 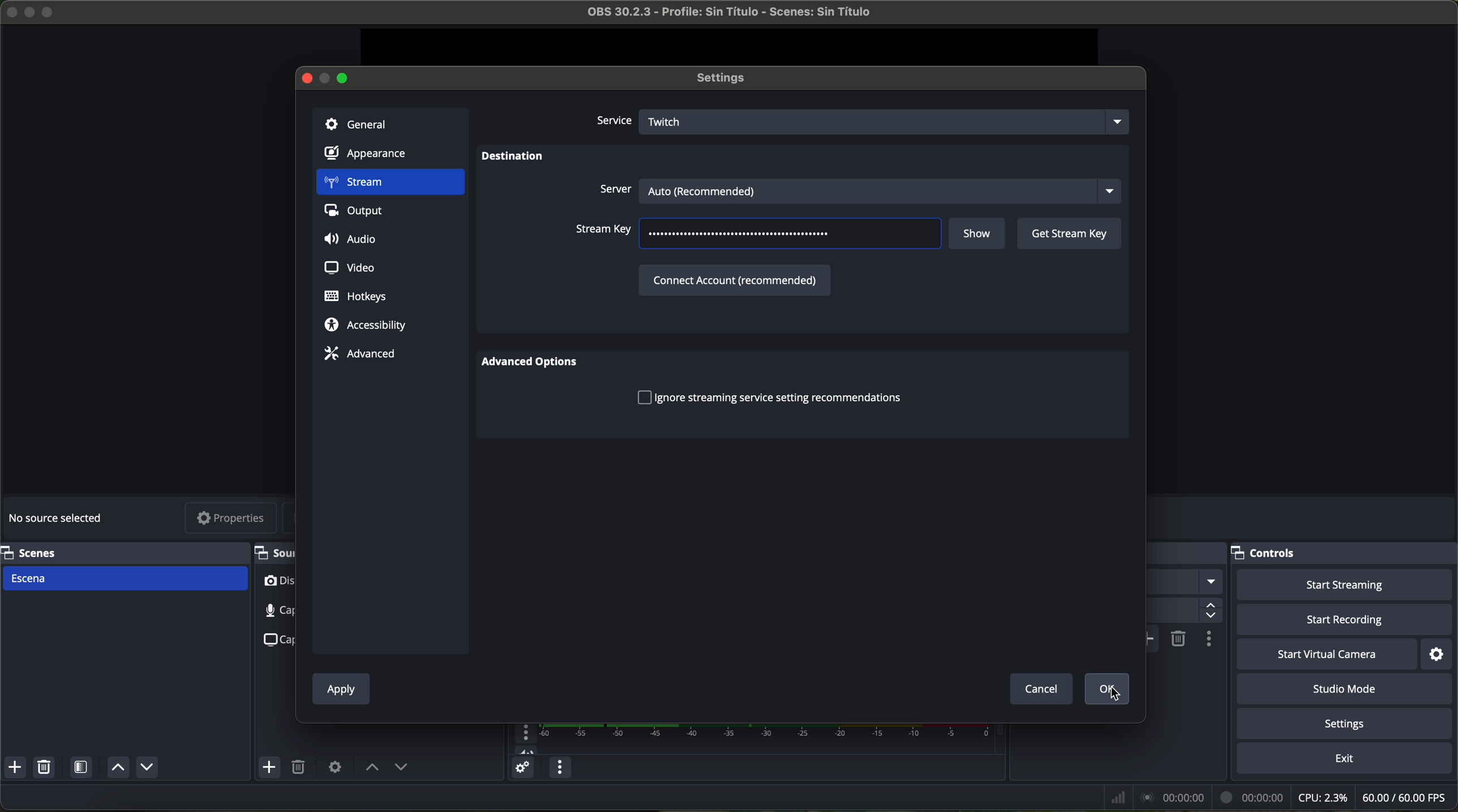 I want to click on maximize, so click(x=50, y=12).